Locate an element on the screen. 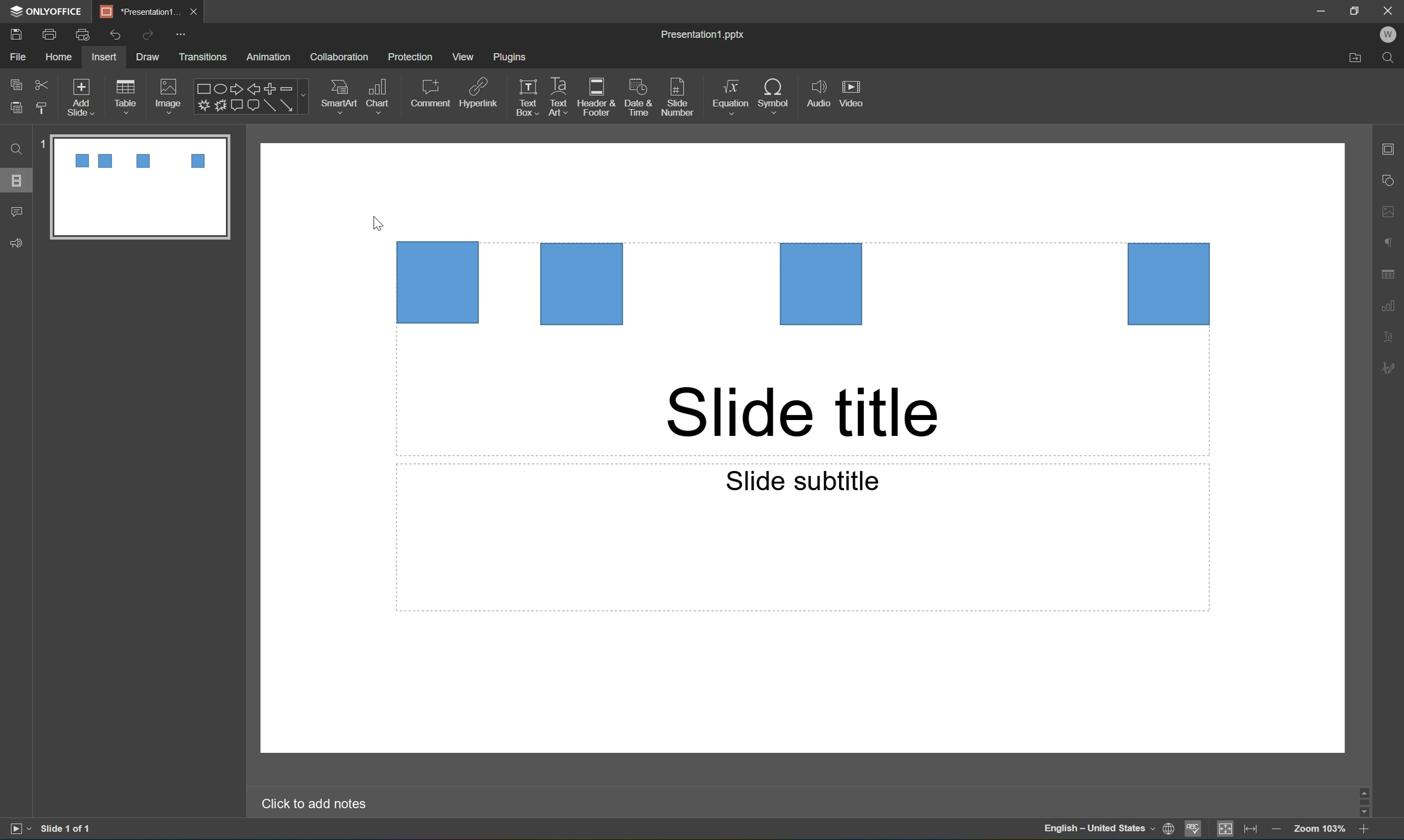 This screenshot has height=840, width=1404. fit too slide is located at coordinates (1226, 830).